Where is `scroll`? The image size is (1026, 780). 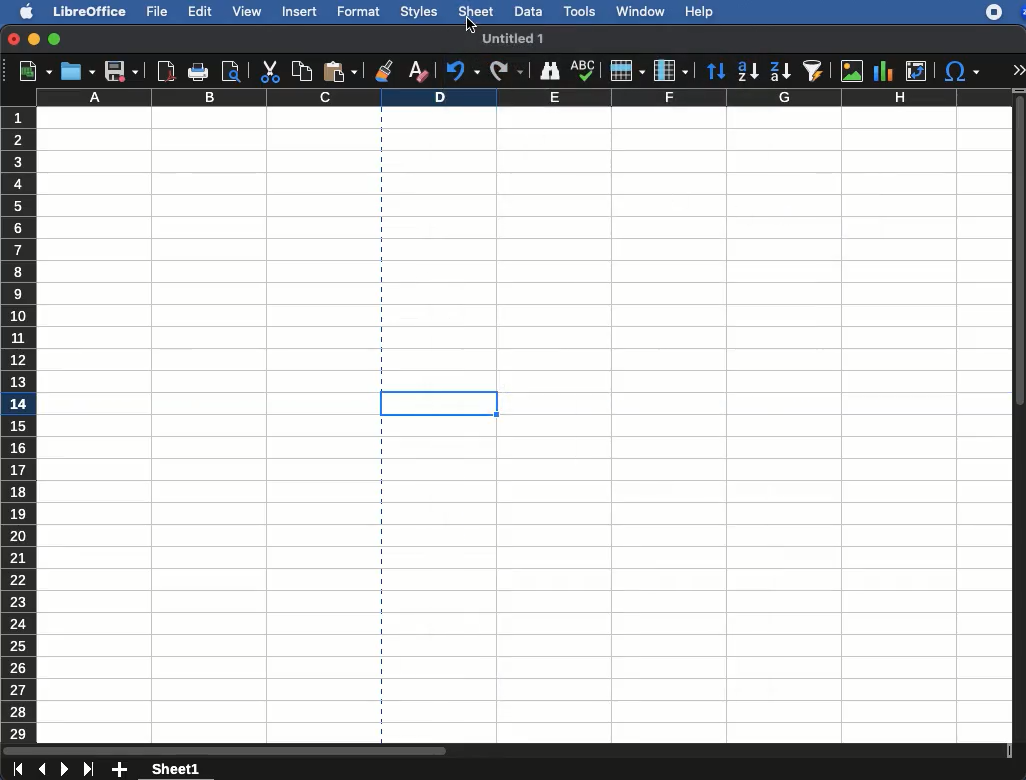
scroll is located at coordinates (507, 750).